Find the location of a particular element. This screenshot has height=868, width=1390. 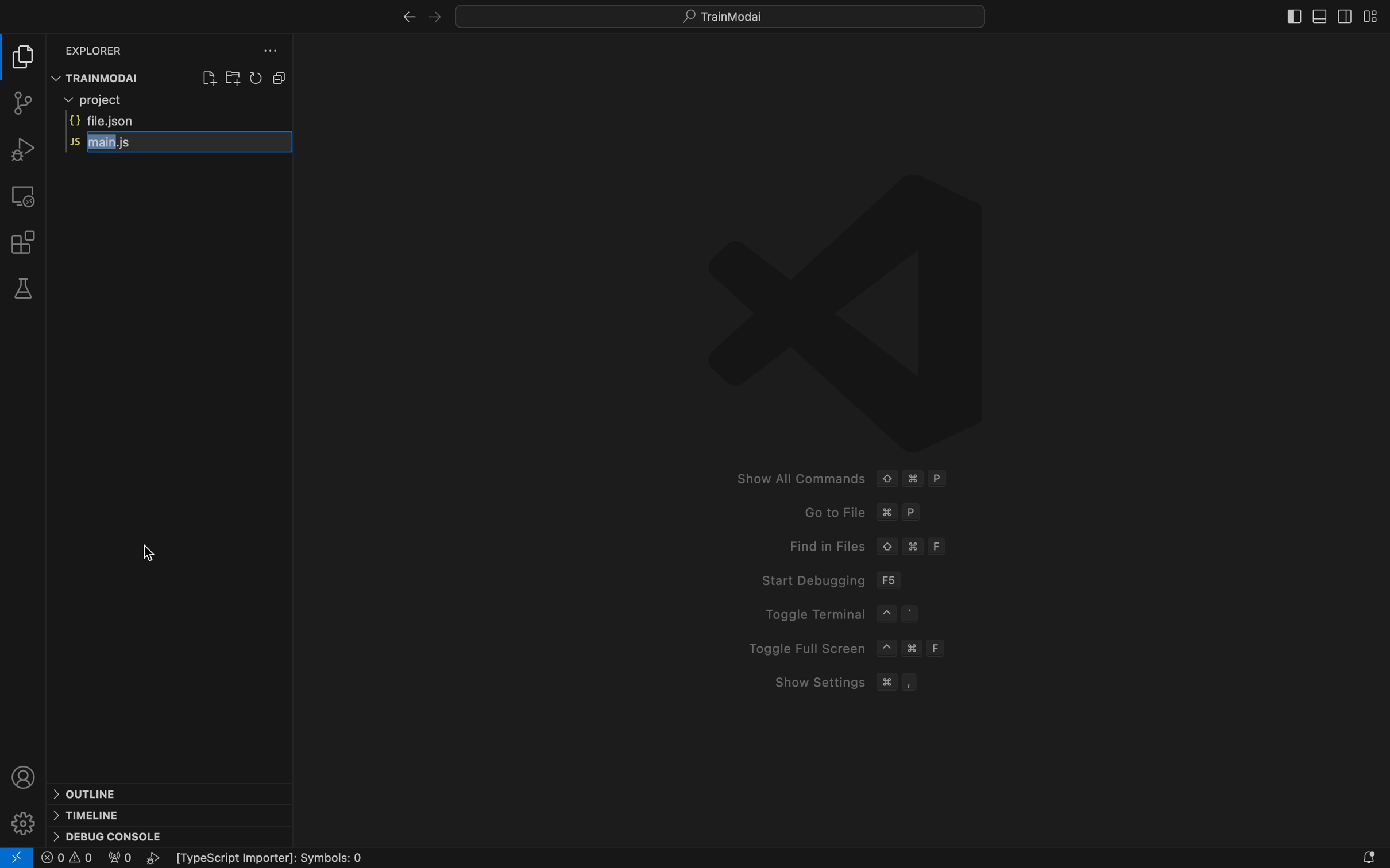

Explorer is located at coordinates (100, 49).